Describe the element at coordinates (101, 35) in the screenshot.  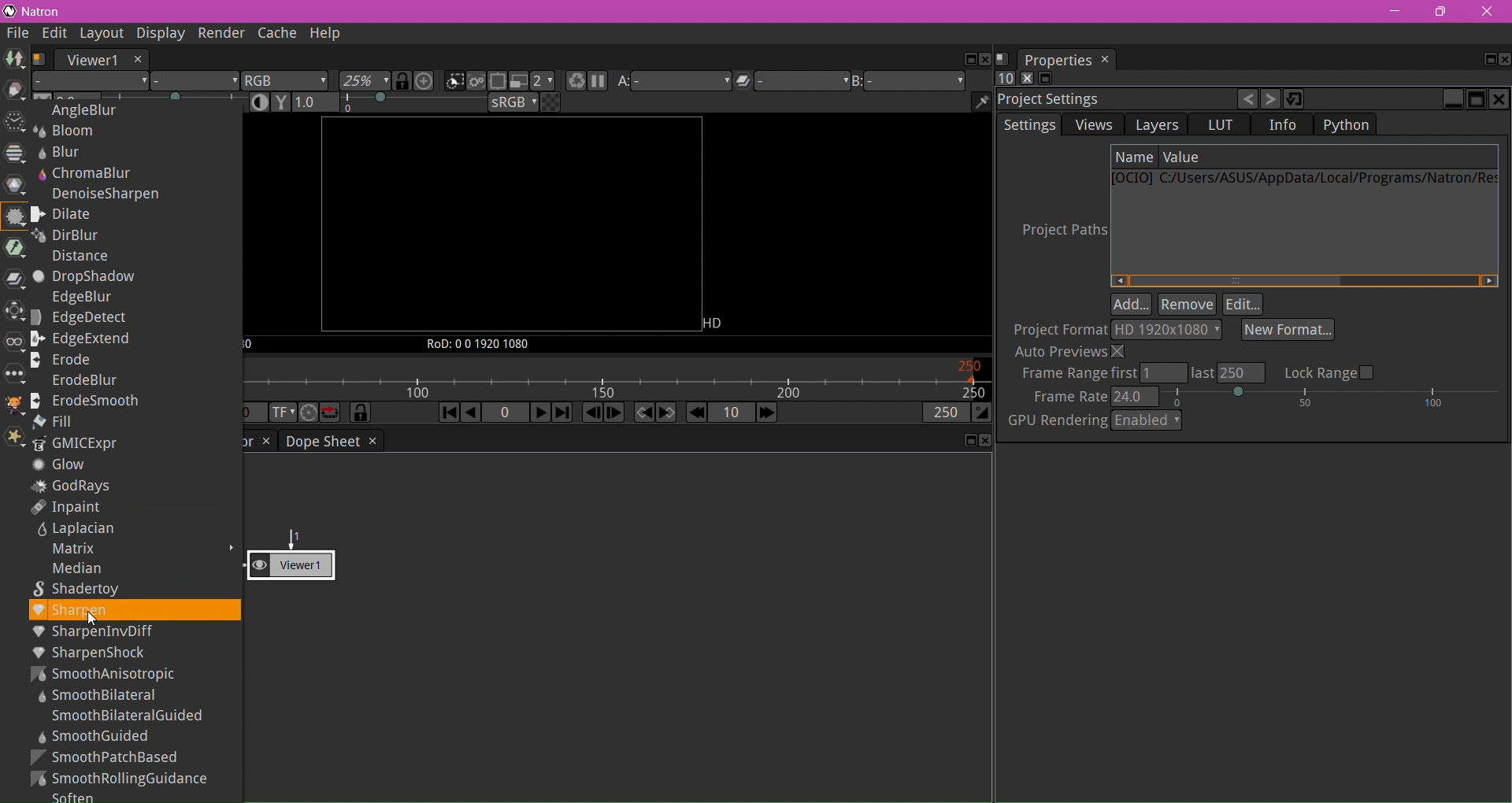
I see `Layout` at that location.